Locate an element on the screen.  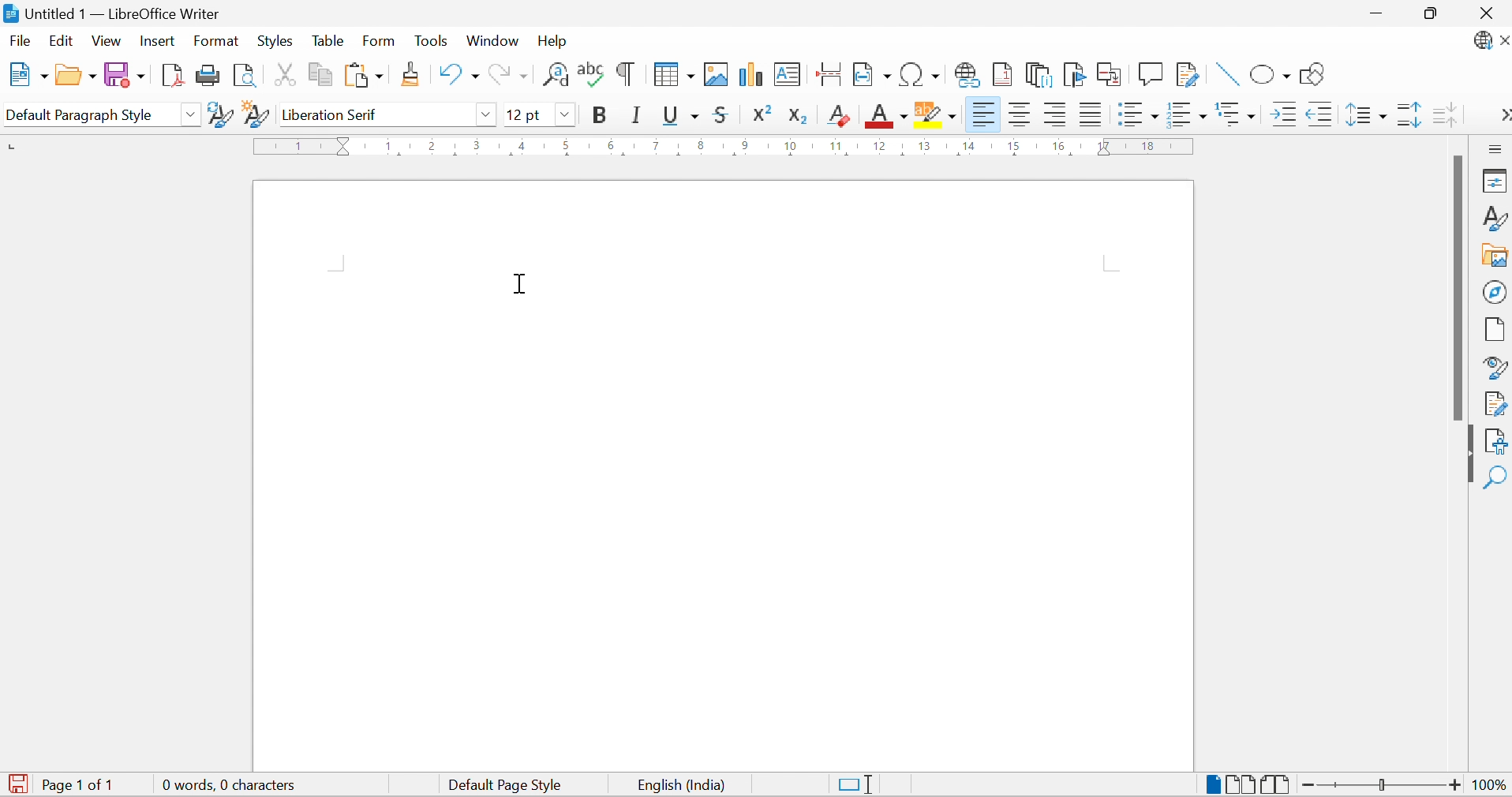
Drop Down is located at coordinates (566, 114).